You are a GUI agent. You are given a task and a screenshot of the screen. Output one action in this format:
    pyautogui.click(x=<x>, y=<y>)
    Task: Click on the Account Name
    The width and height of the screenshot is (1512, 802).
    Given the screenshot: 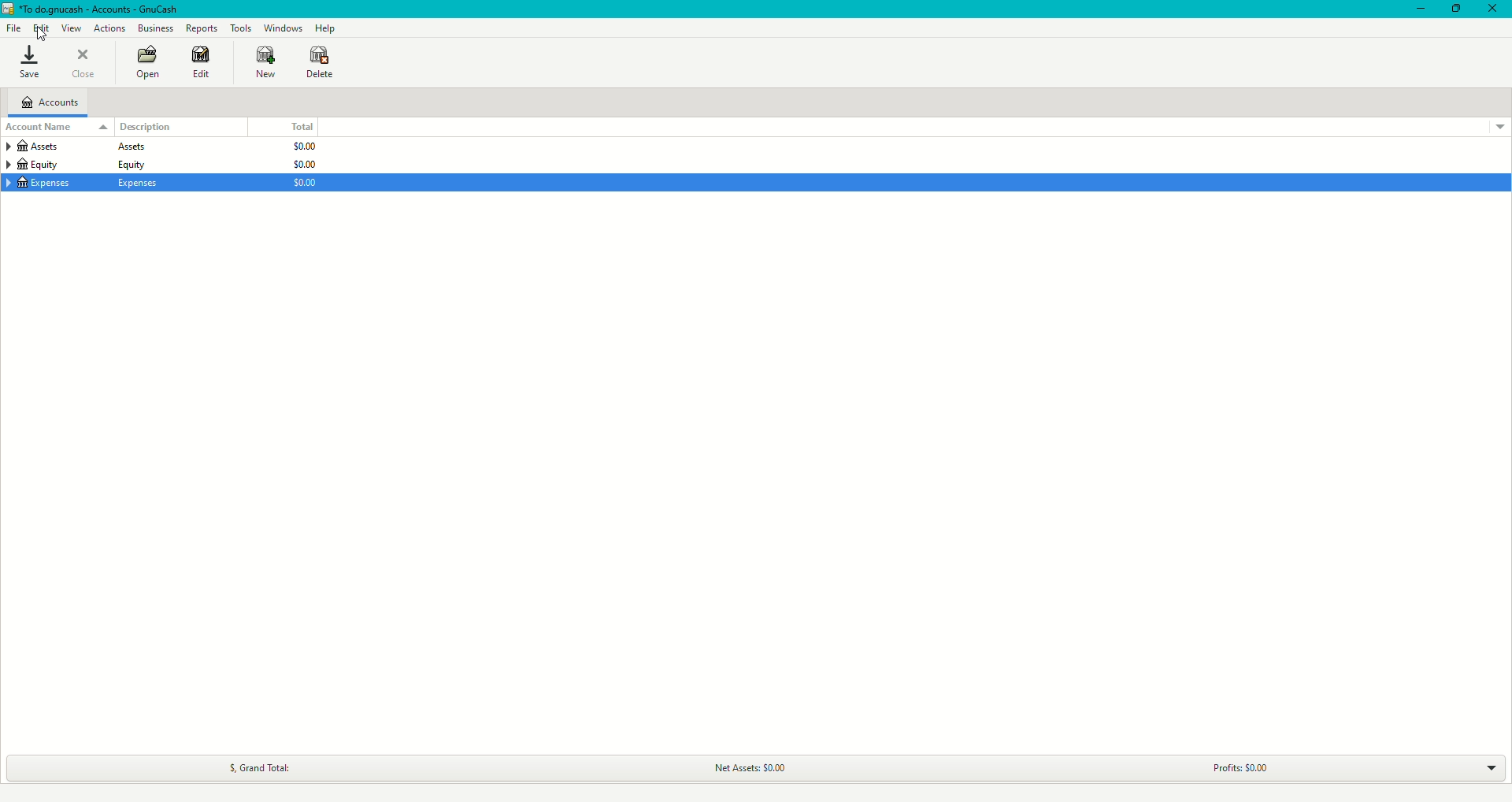 What is the action you would take?
    pyautogui.click(x=56, y=128)
    